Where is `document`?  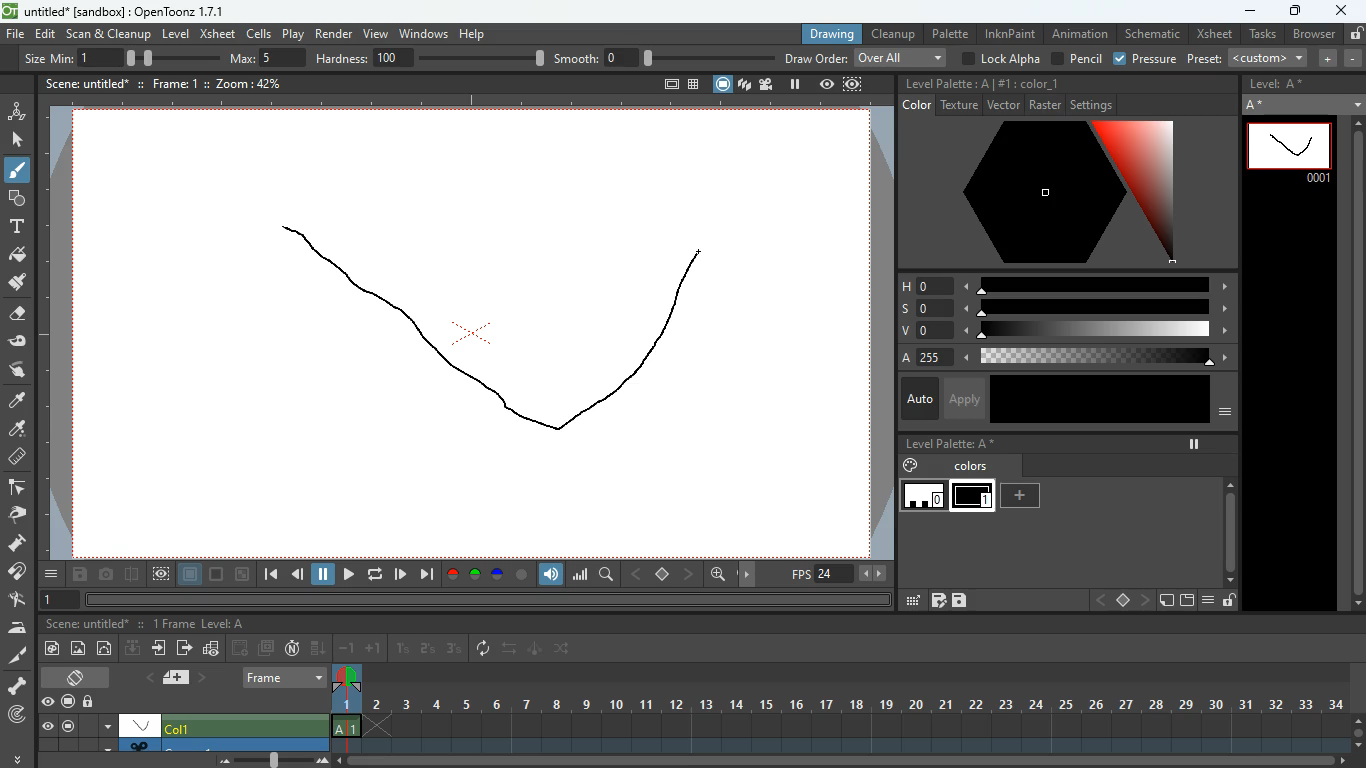
document is located at coordinates (668, 86).